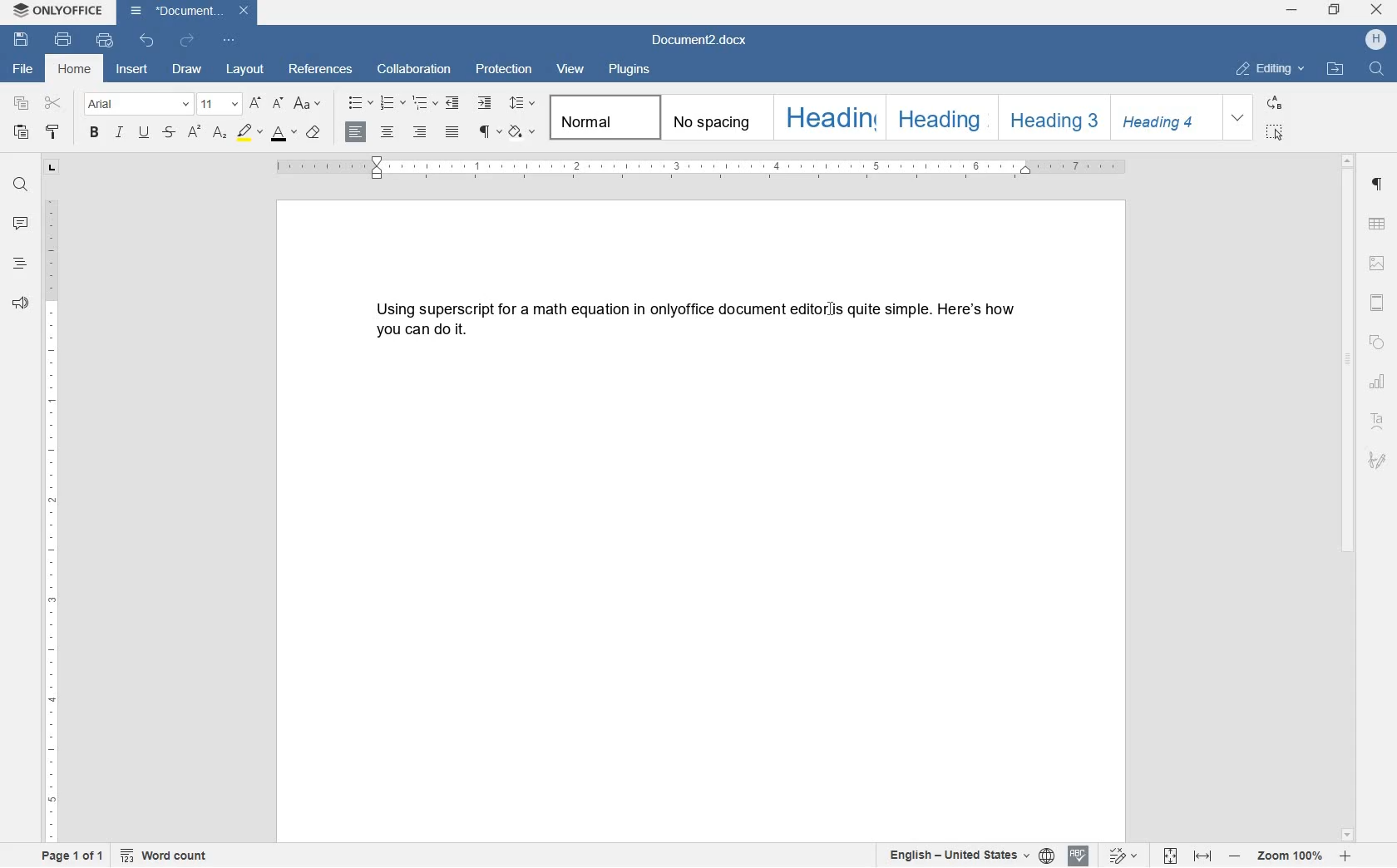 This screenshot has height=868, width=1397. I want to click on cut, so click(54, 102).